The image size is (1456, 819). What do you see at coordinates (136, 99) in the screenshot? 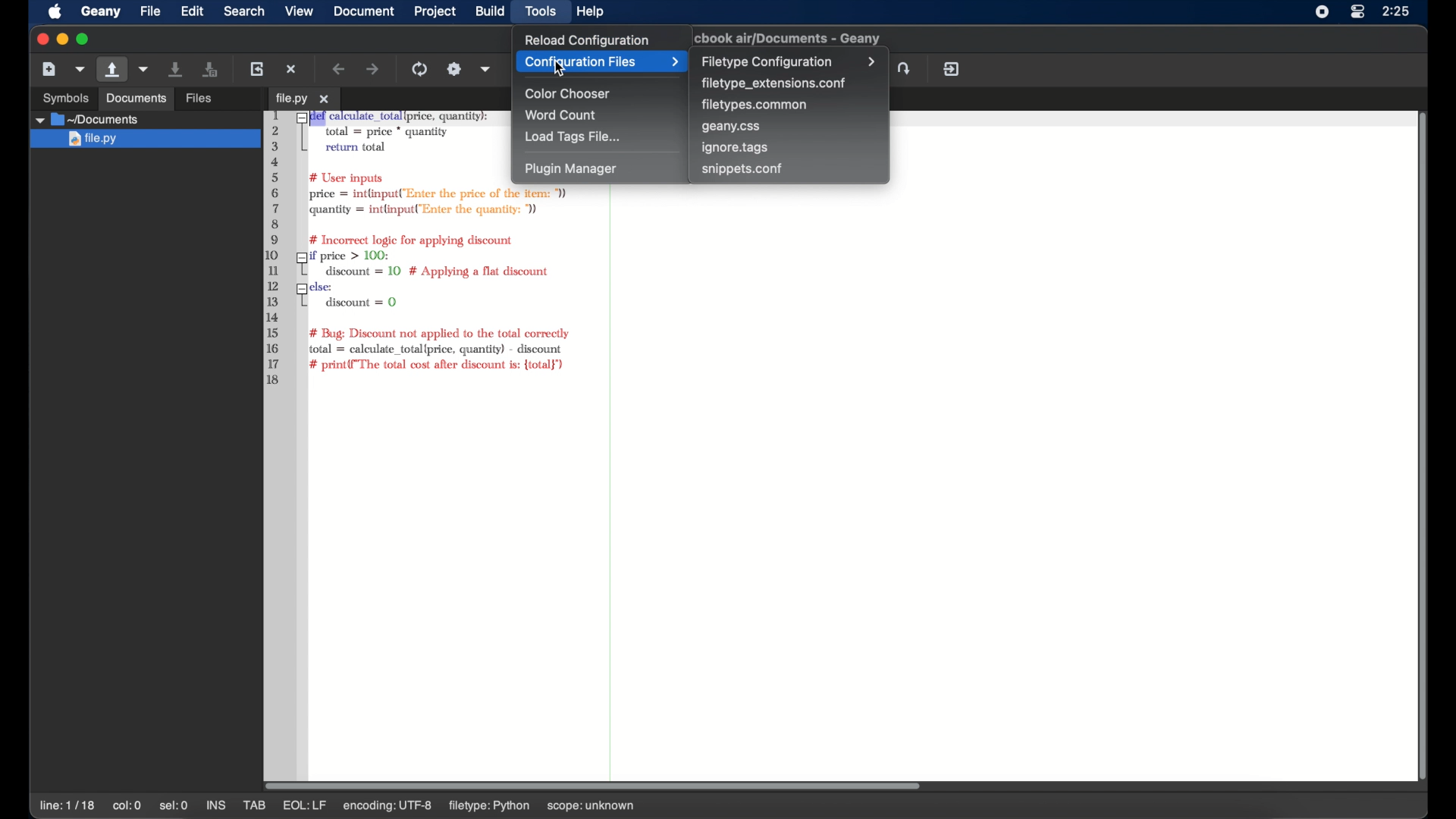
I see `` at bounding box center [136, 99].